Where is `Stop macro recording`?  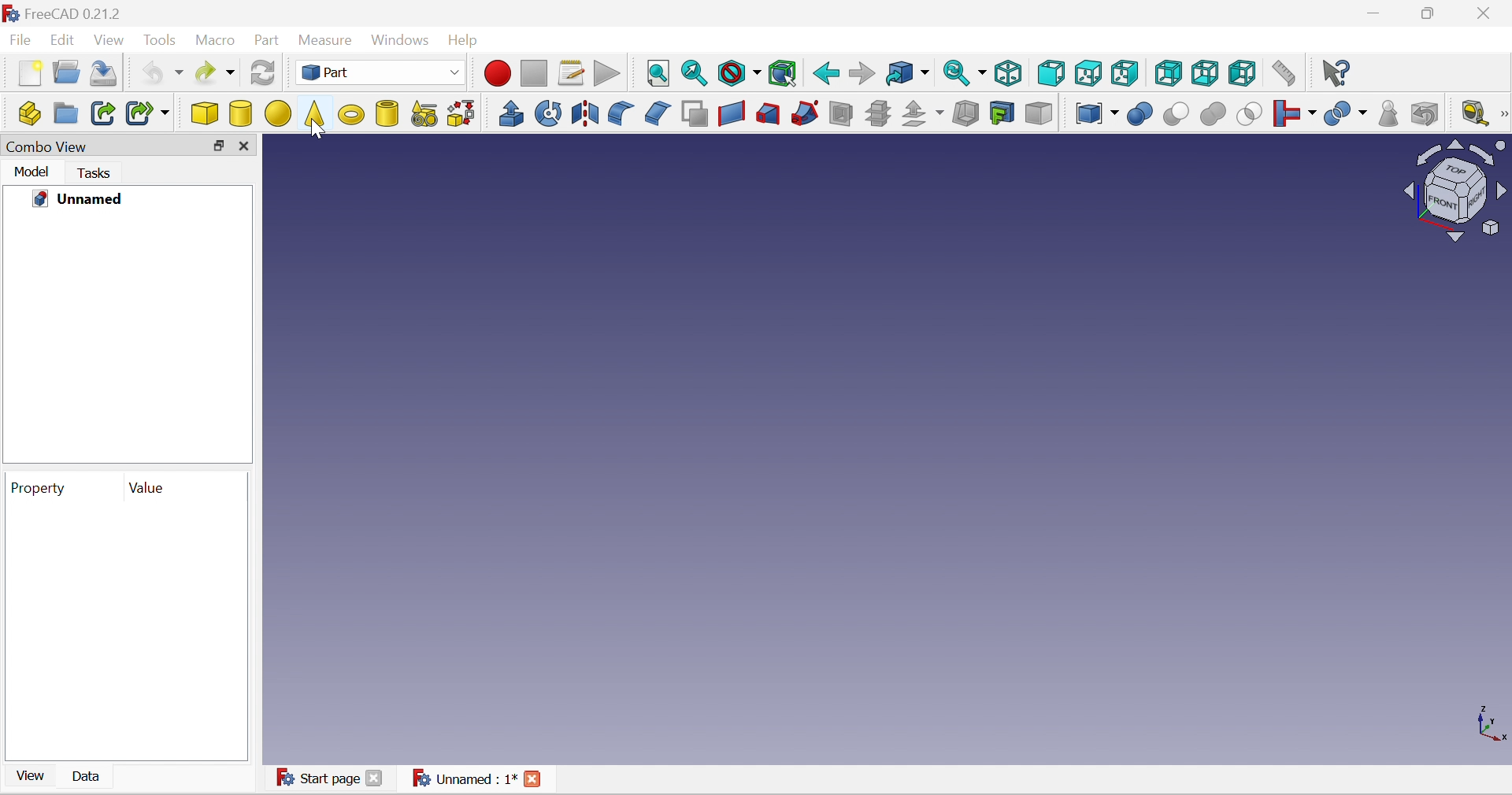 Stop macro recording is located at coordinates (533, 72).